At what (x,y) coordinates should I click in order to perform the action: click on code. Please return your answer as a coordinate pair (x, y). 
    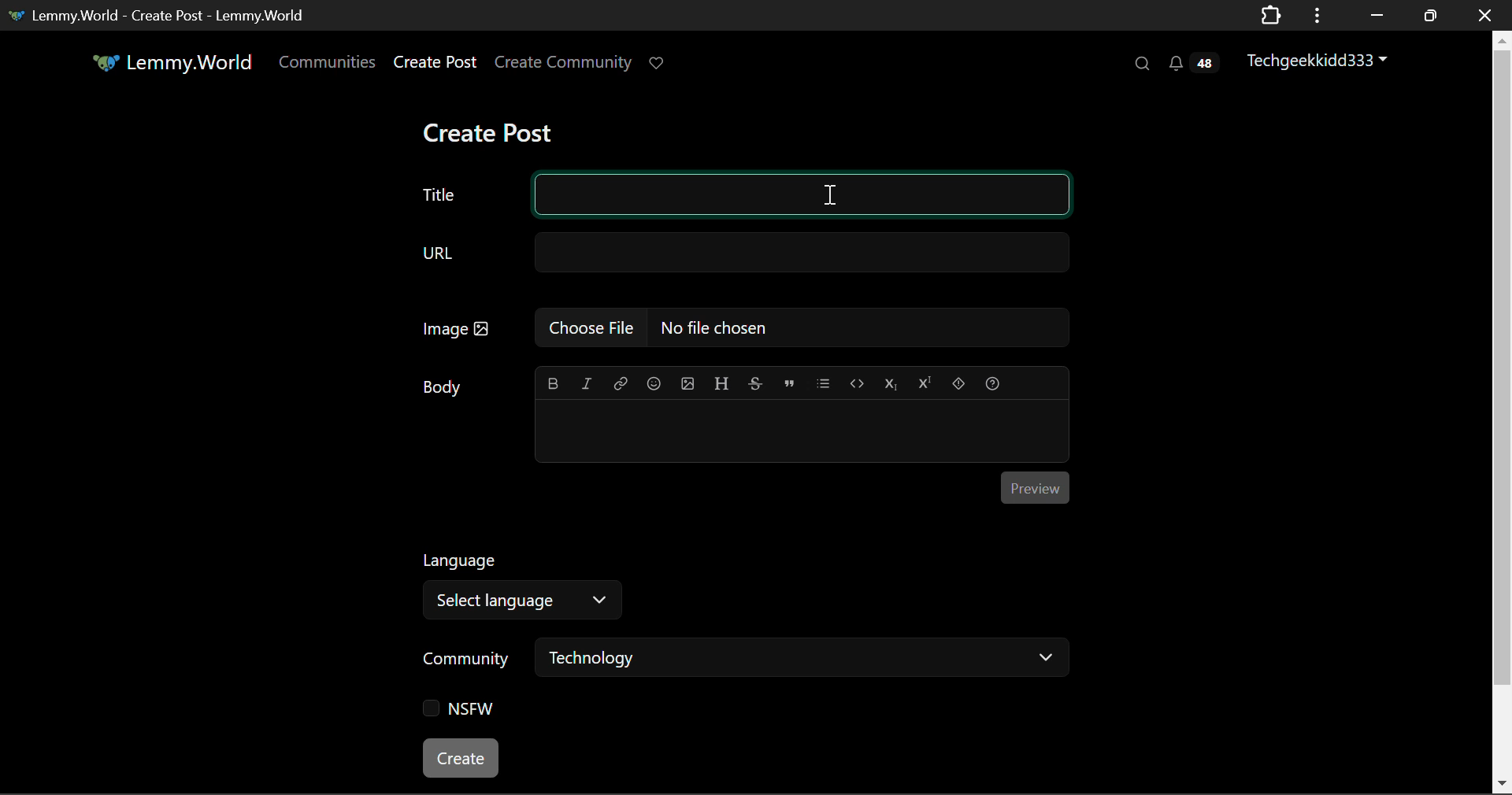
    Looking at the image, I should click on (857, 383).